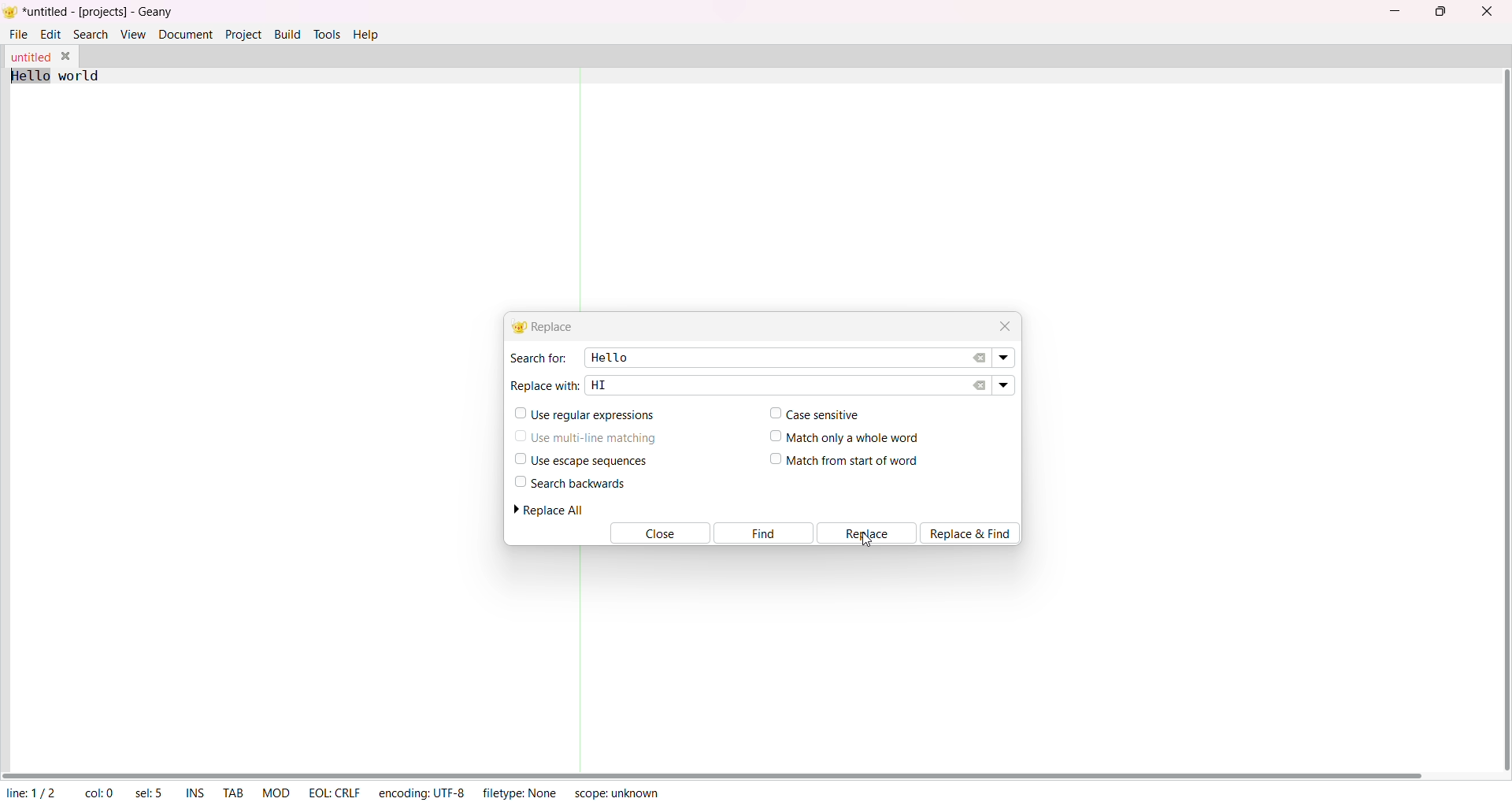 The height and width of the screenshot is (802, 1512). What do you see at coordinates (1501, 420) in the screenshot?
I see `vertical scroll bar` at bounding box center [1501, 420].